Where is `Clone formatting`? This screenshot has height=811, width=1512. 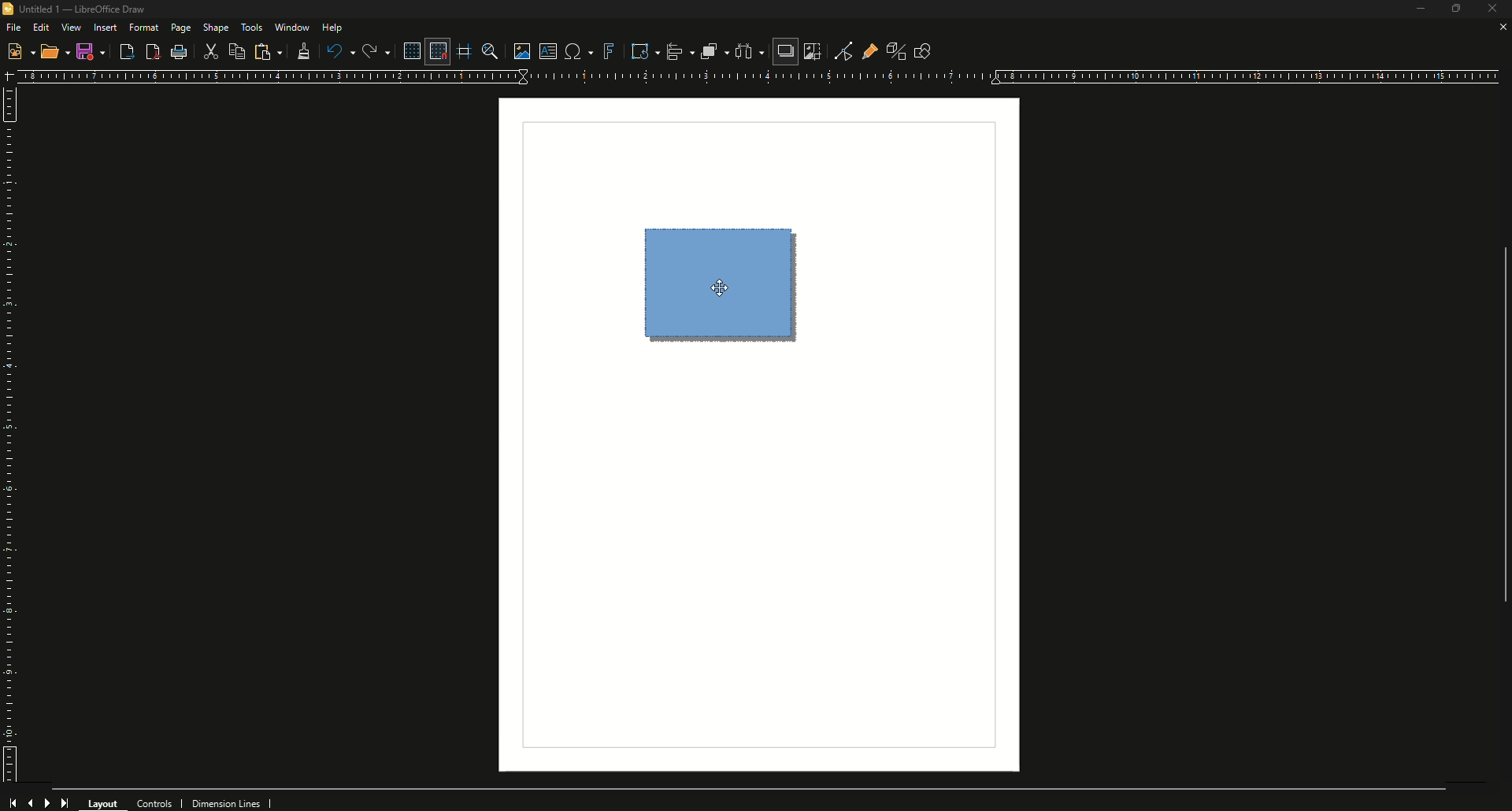 Clone formatting is located at coordinates (301, 52).